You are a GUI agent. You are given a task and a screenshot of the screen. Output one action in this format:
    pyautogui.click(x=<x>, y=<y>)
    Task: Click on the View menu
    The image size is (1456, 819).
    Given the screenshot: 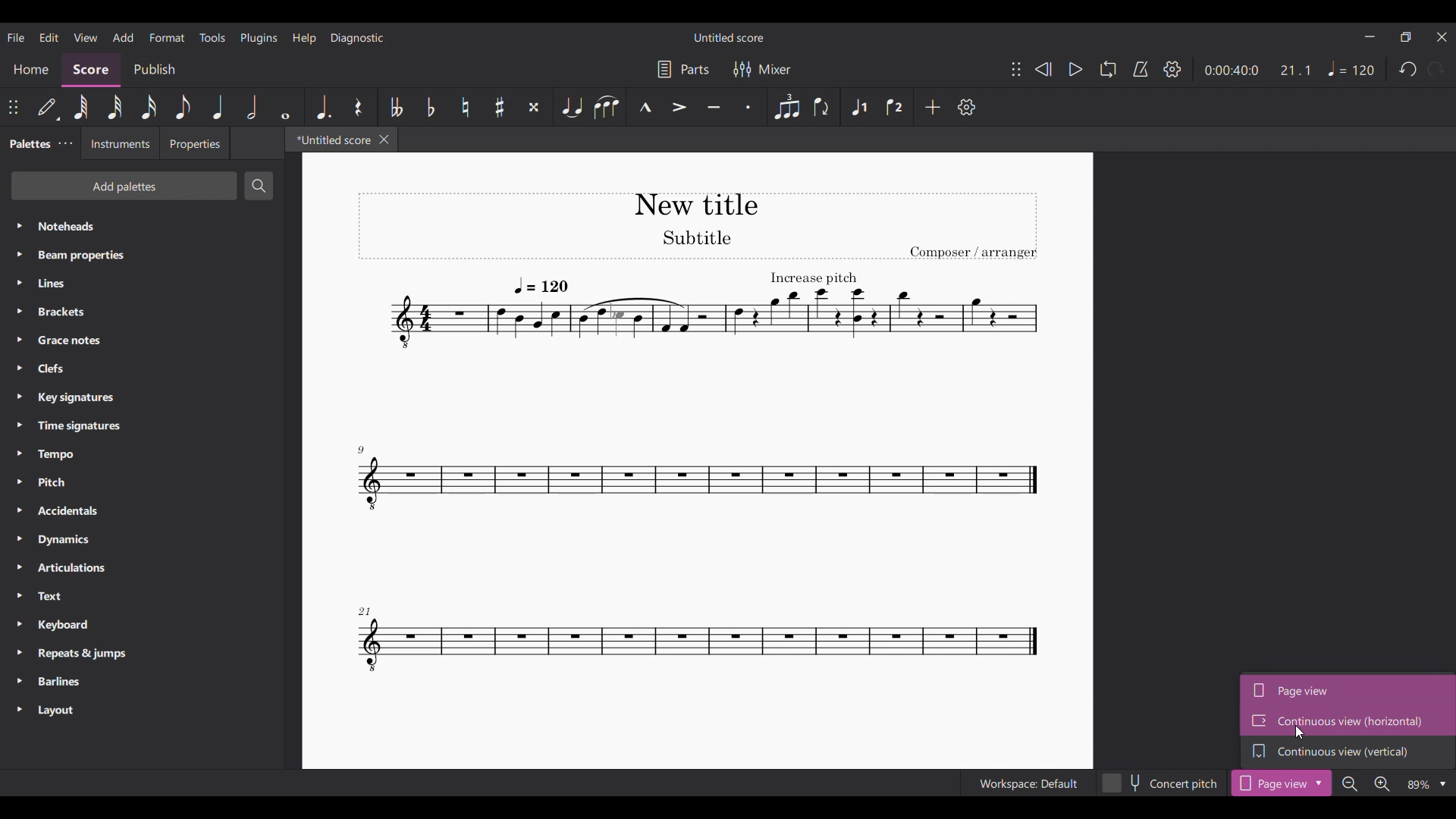 What is the action you would take?
    pyautogui.click(x=85, y=37)
    